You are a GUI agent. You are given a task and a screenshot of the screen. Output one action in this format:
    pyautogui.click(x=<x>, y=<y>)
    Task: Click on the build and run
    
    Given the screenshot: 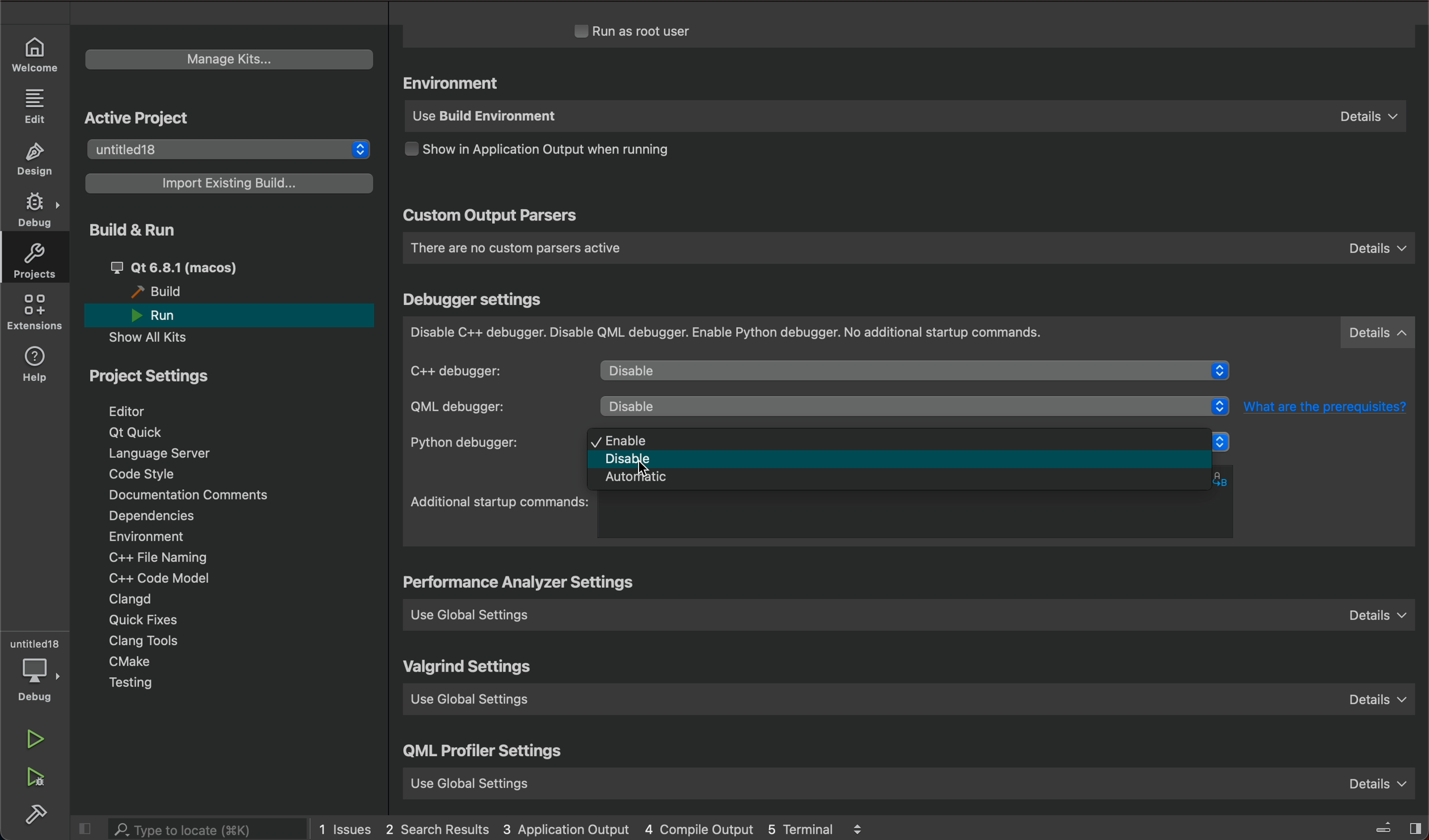 What is the action you would take?
    pyautogui.click(x=130, y=229)
    